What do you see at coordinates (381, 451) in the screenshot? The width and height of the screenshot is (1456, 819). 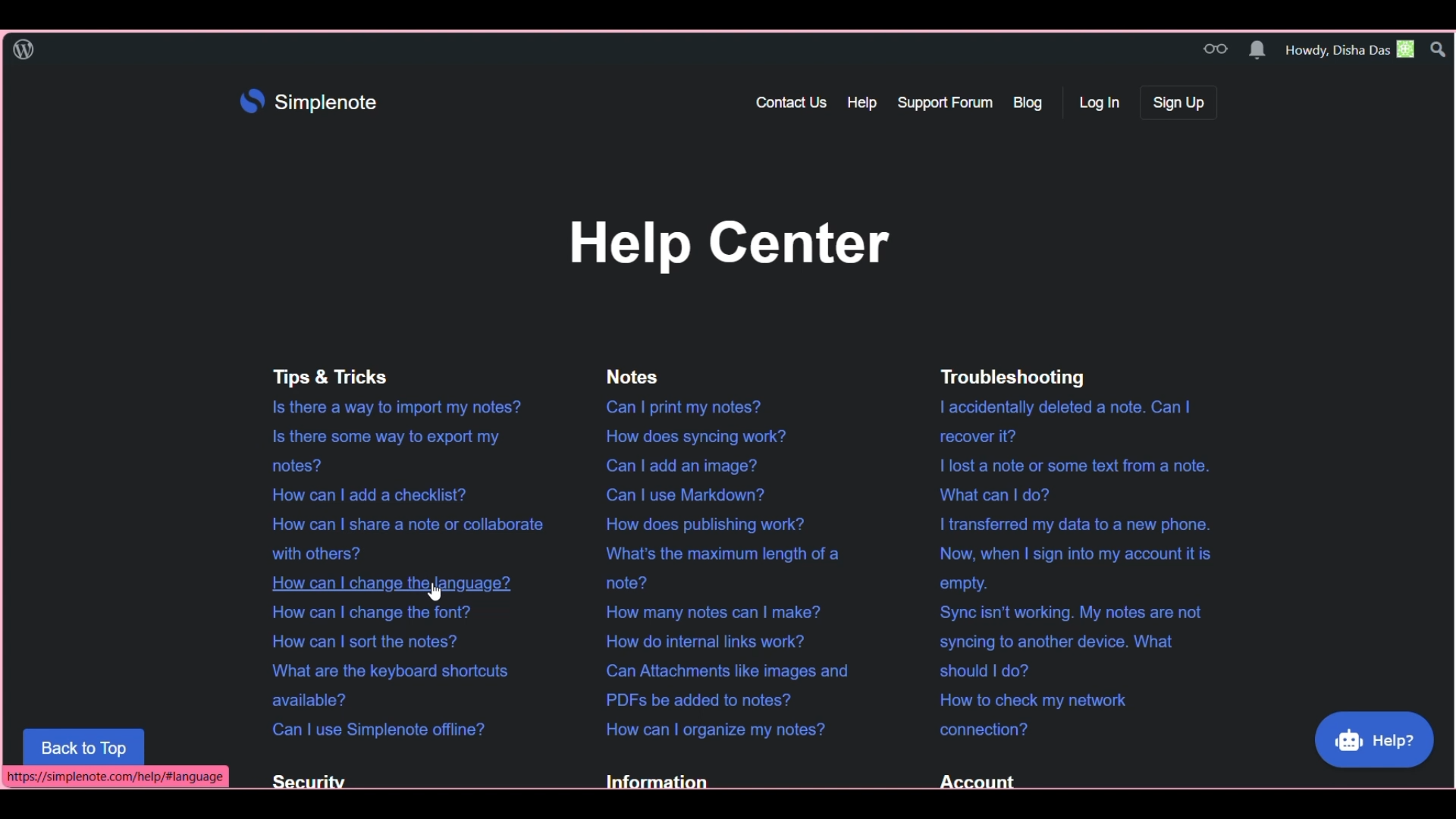 I see `Is there some way to export my notes?` at bounding box center [381, 451].